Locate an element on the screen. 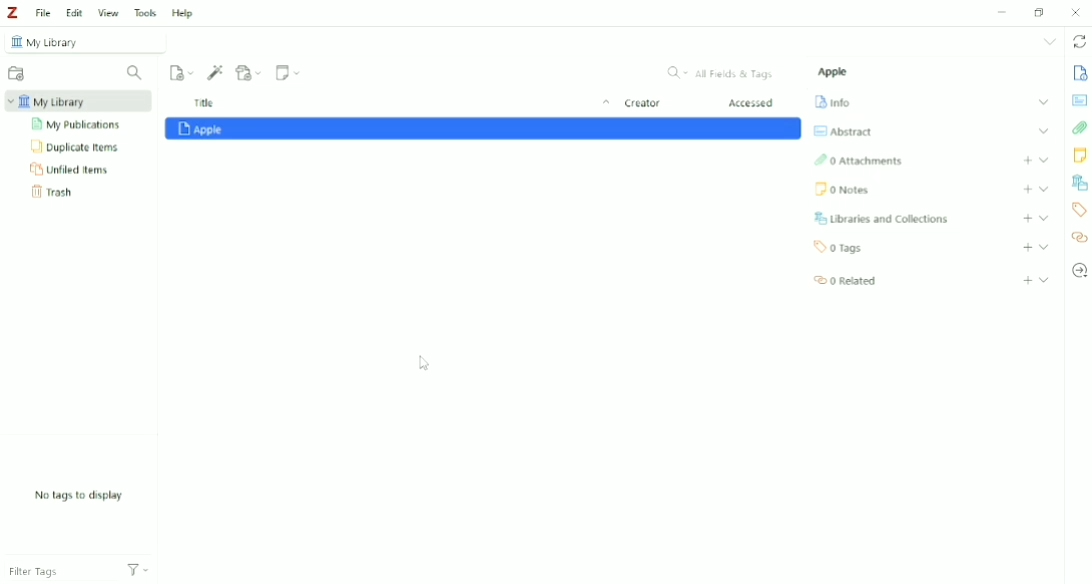  Tags is located at coordinates (840, 248).